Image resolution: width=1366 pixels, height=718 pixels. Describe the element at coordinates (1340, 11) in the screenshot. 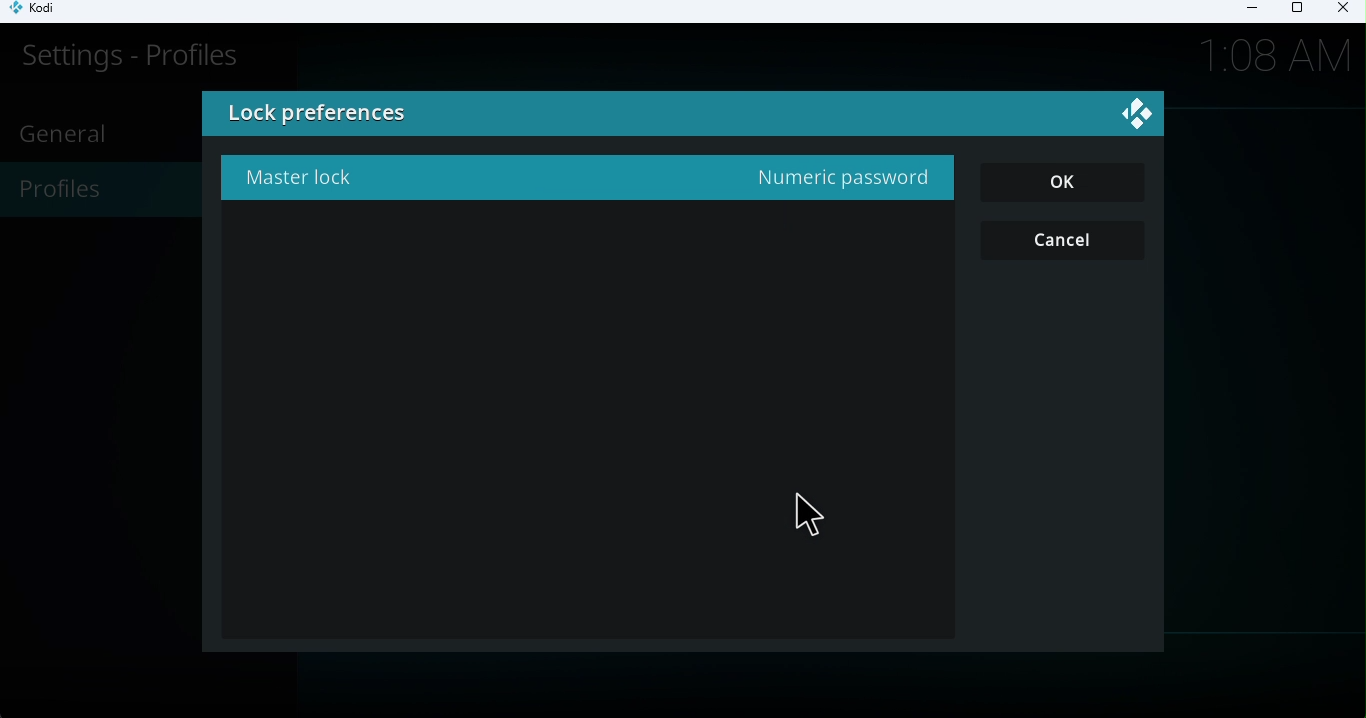

I see `Close` at that location.